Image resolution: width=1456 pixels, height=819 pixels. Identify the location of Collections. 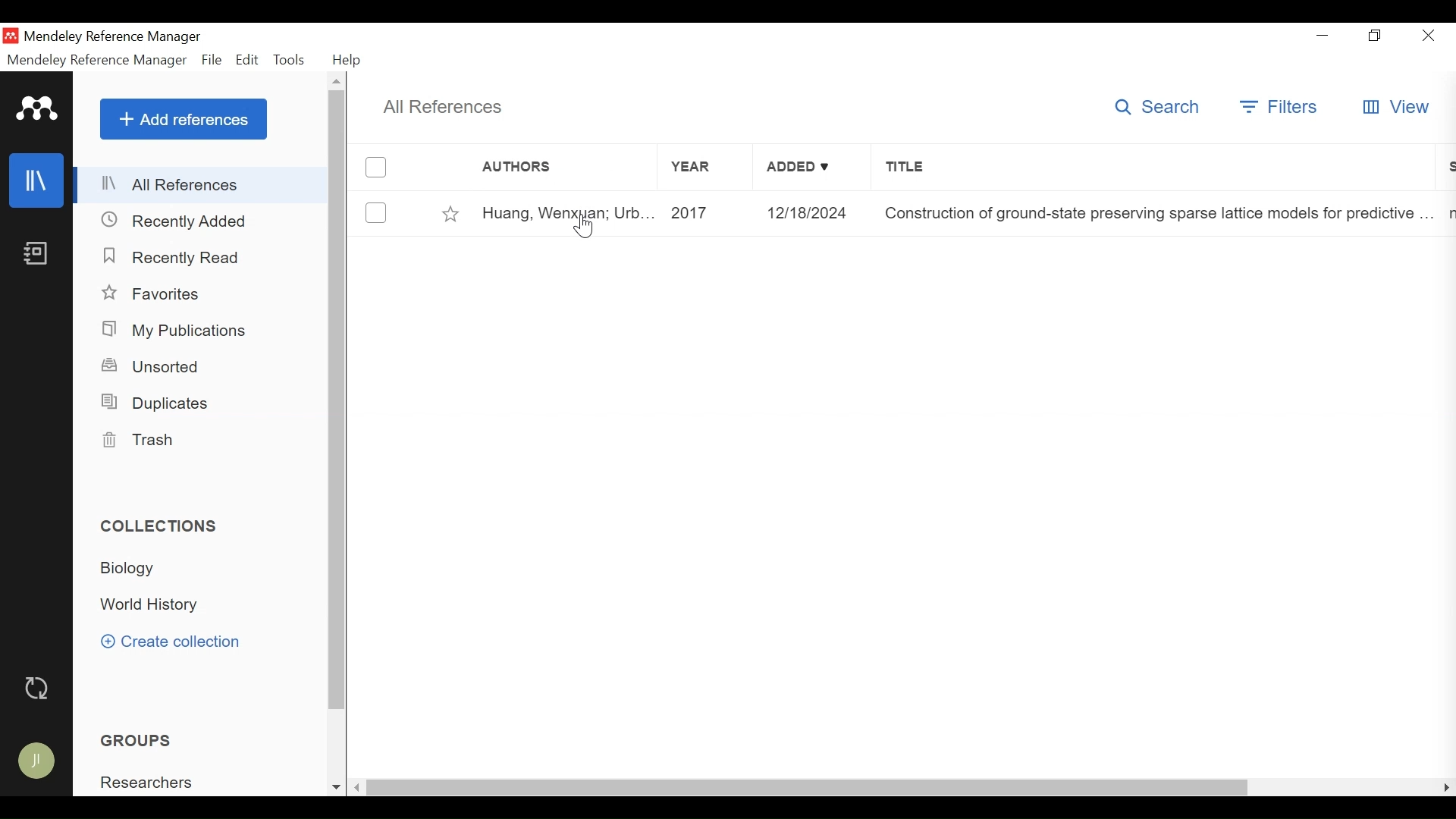
(166, 526).